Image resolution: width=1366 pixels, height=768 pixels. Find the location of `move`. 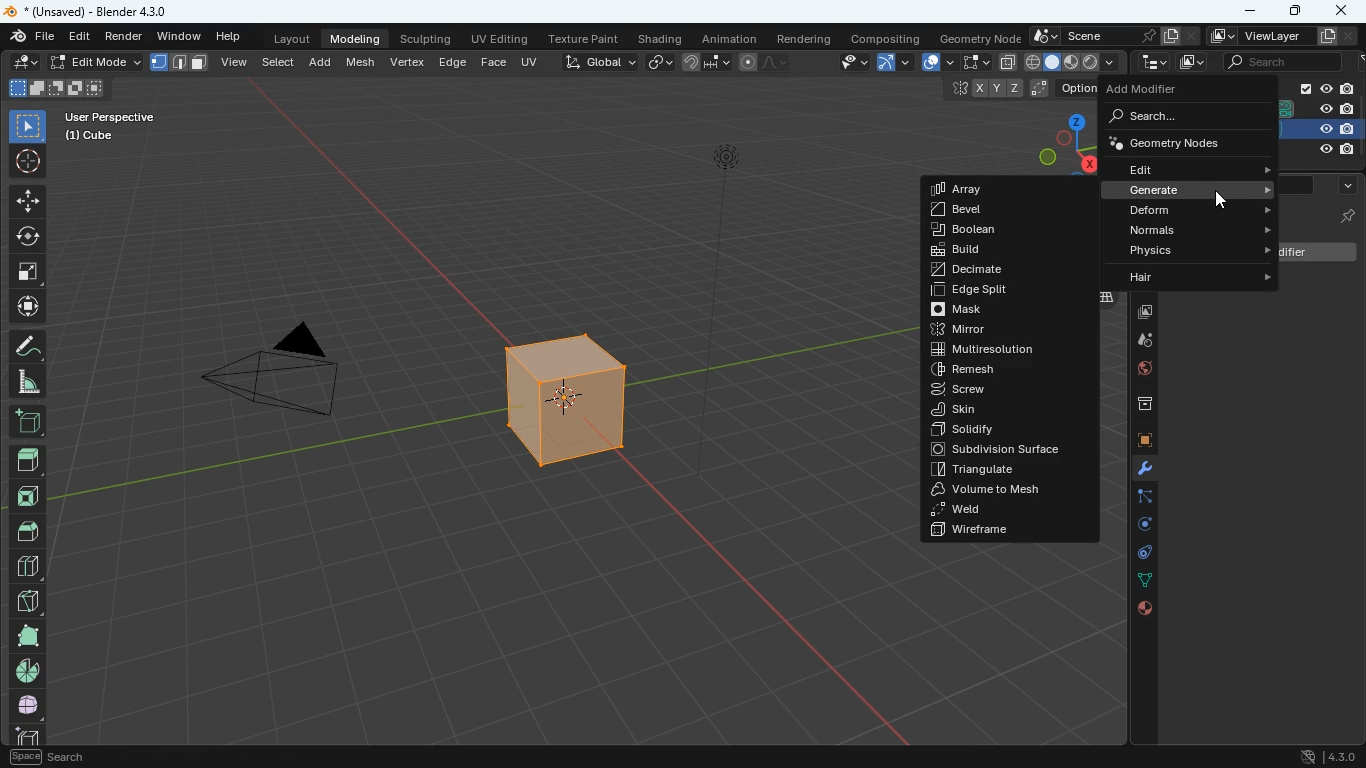

move is located at coordinates (28, 201).